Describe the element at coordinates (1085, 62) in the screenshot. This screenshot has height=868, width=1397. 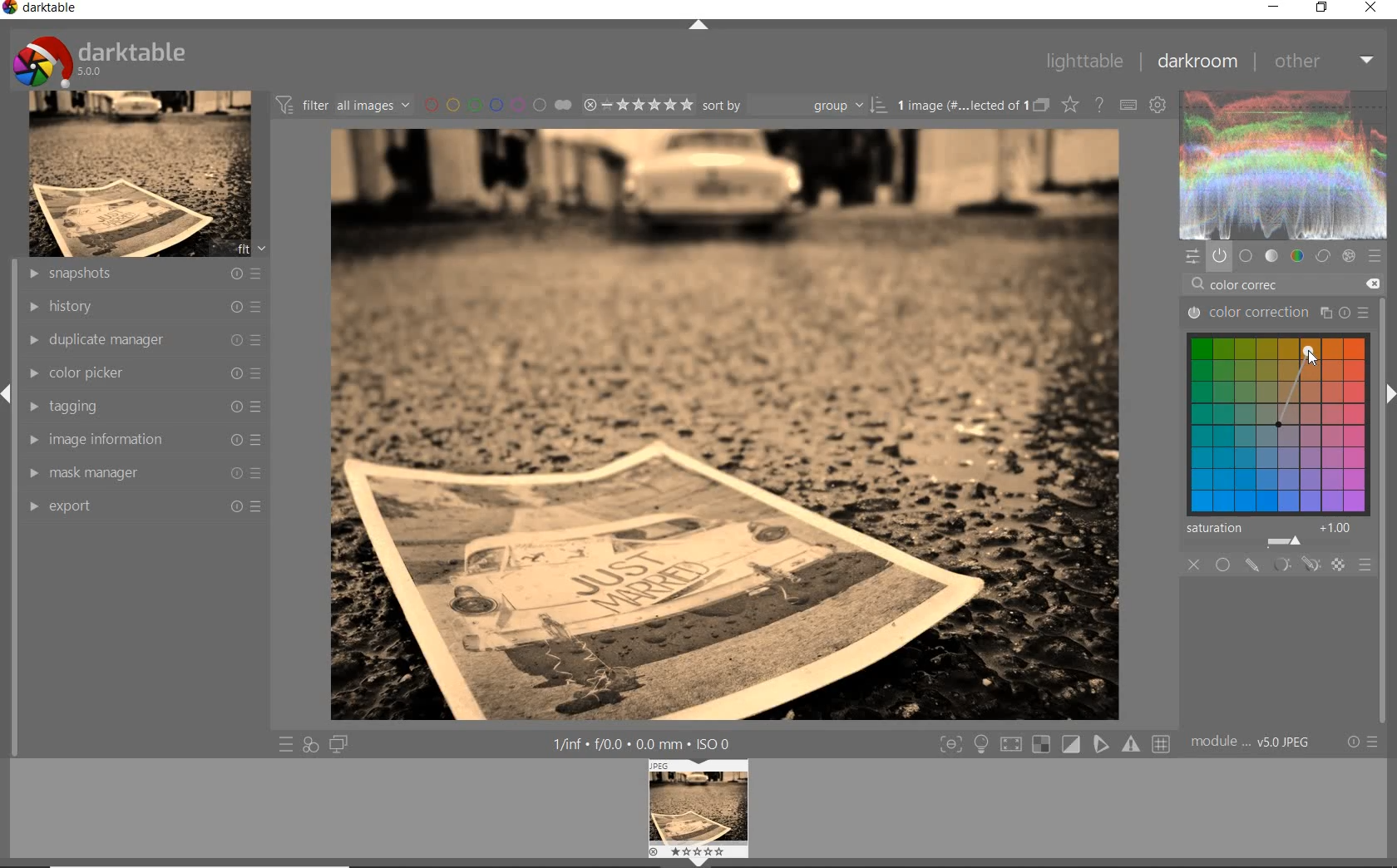
I see `lighttable` at that location.